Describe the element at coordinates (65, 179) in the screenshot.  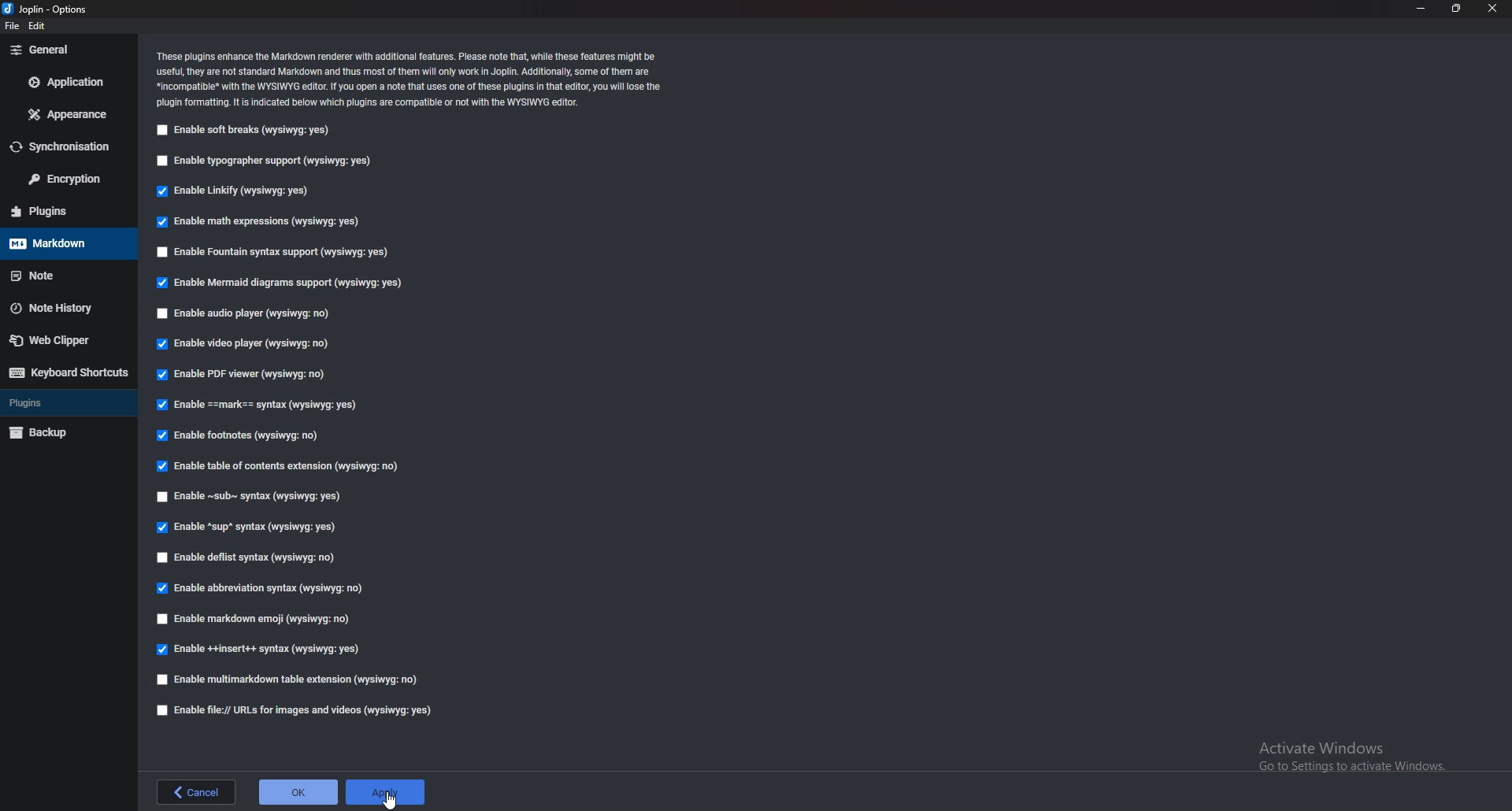
I see `Encryption` at that location.